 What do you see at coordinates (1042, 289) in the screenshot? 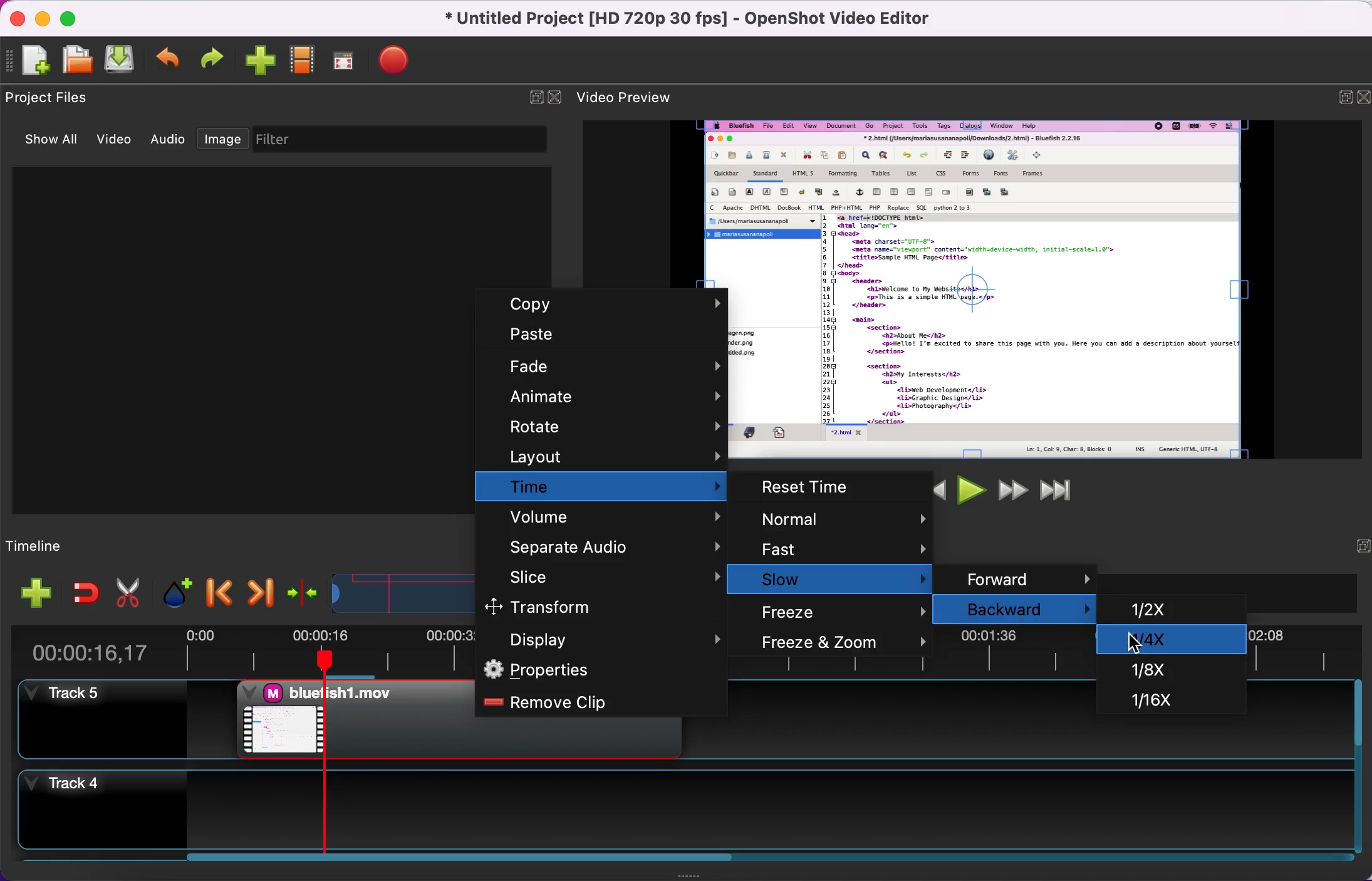
I see `video preview` at bounding box center [1042, 289].